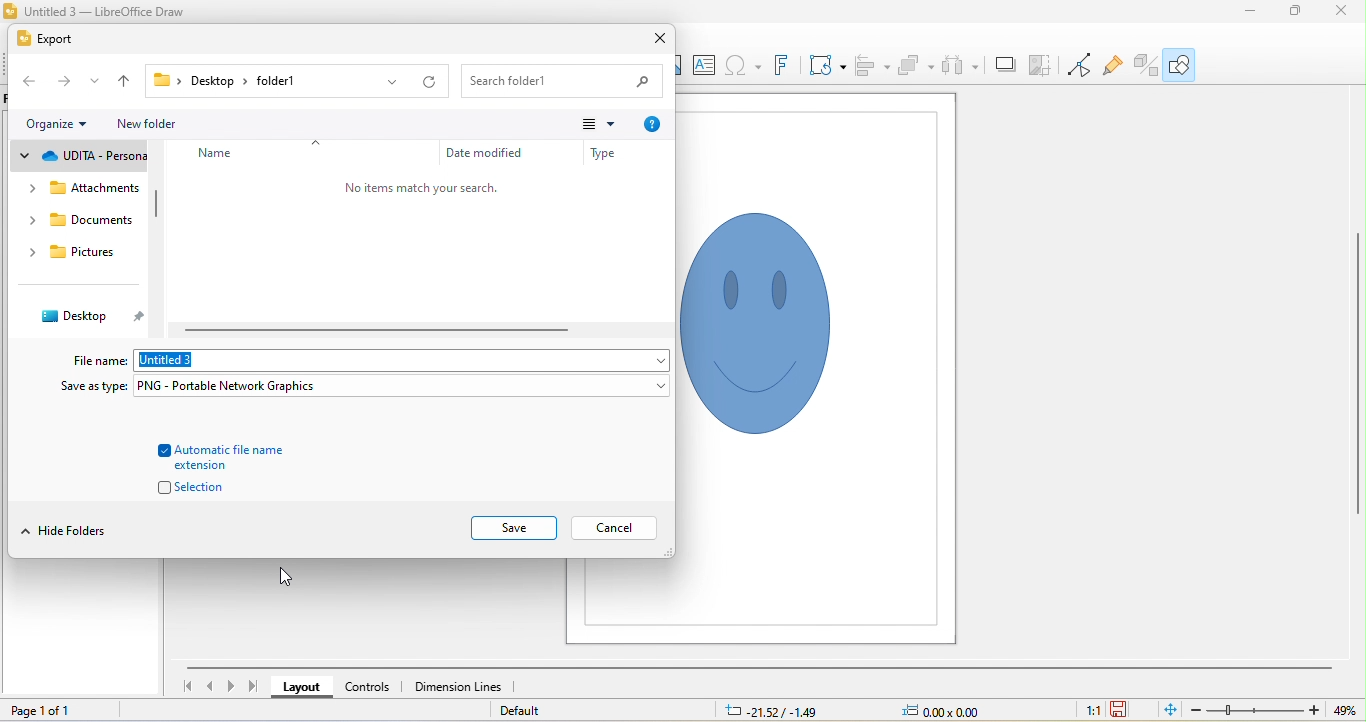  What do you see at coordinates (562, 81) in the screenshot?
I see `search bar` at bounding box center [562, 81].